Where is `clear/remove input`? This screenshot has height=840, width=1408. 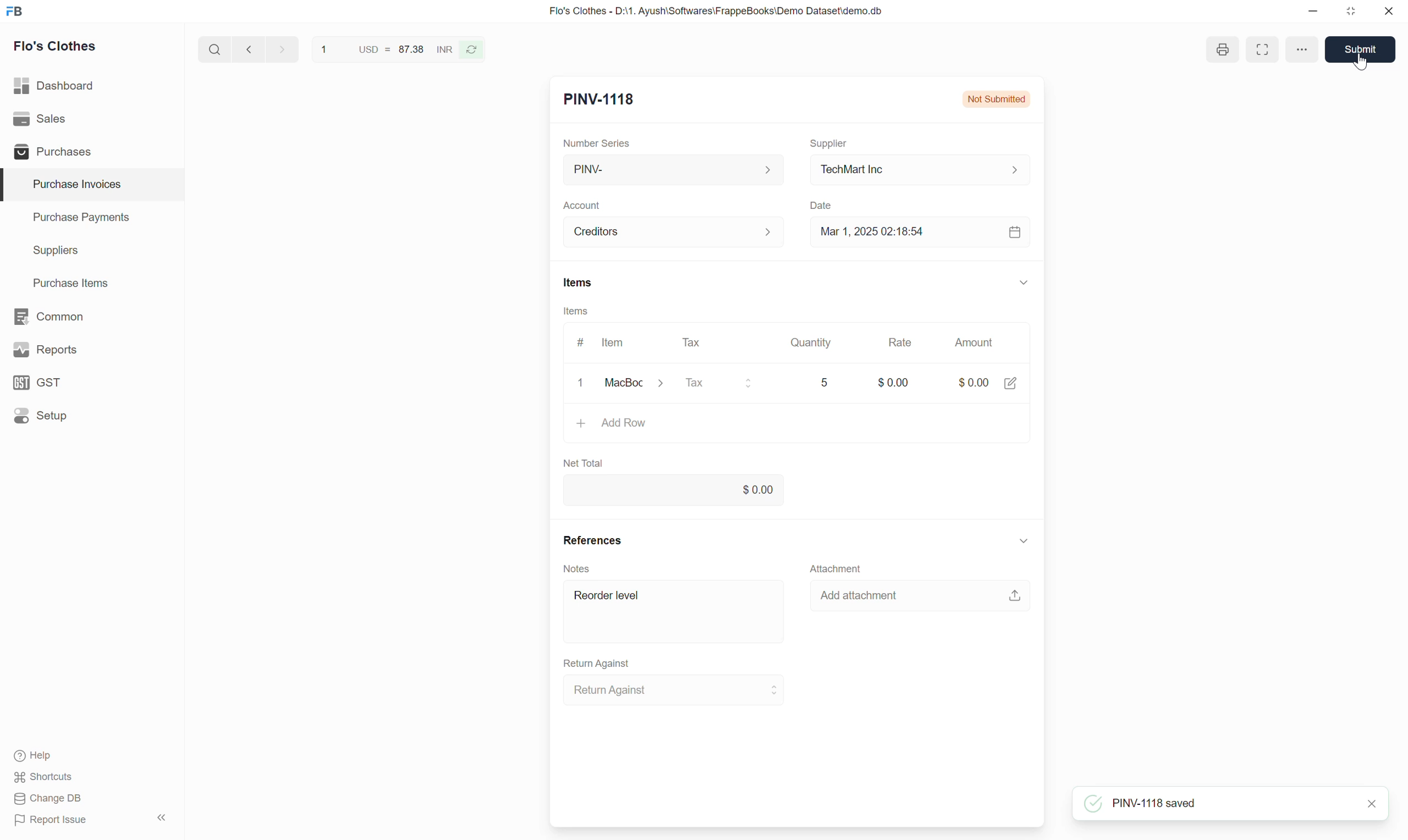 clear/remove input is located at coordinates (583, 384).